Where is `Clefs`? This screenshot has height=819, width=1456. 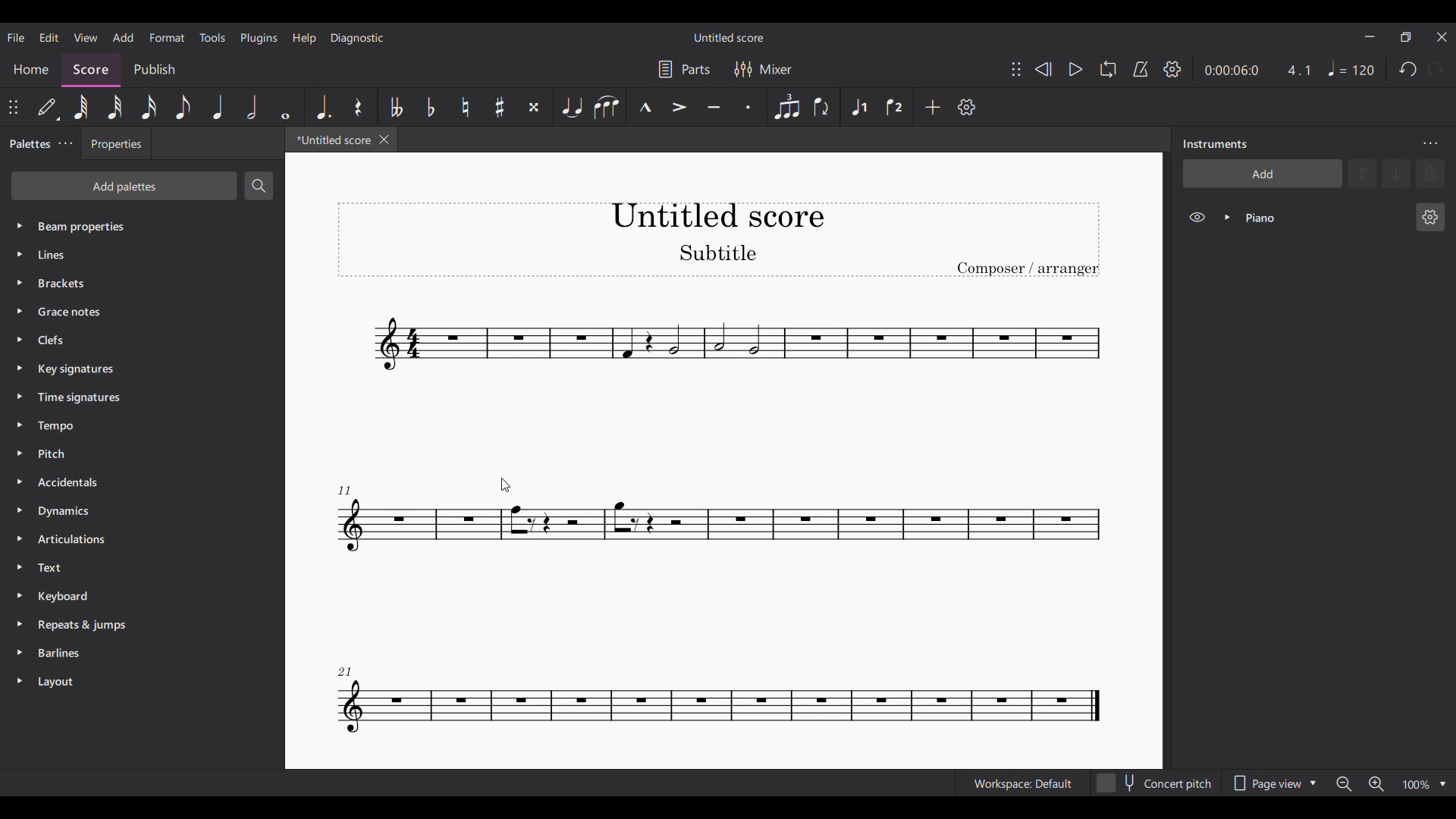
Clefs is located at coordinates (138, 339).